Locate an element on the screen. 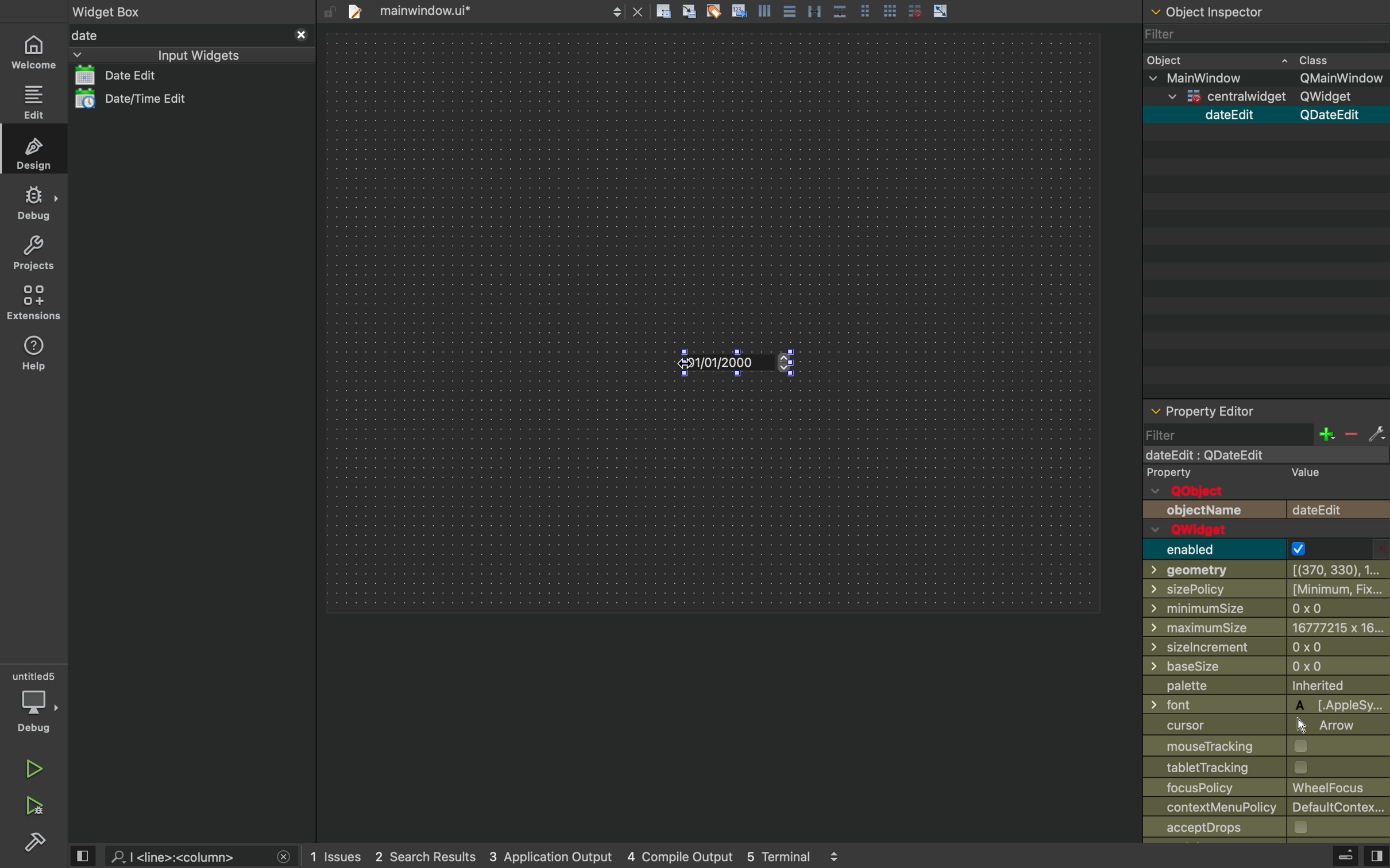 This screenshot has width=1390, height=868. distribute vertically is located at coordinates (840, 10).